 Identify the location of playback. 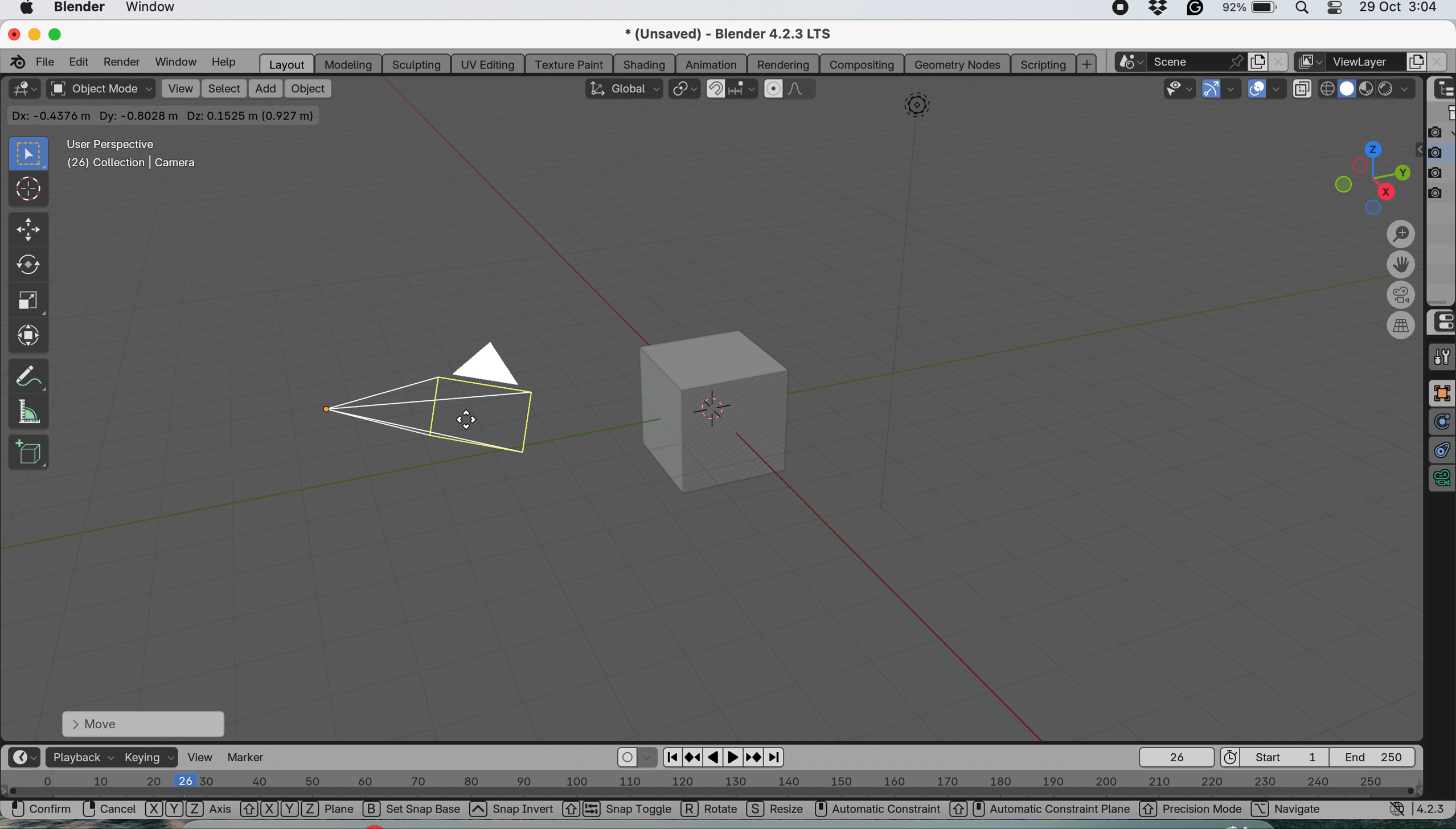
(80, 757).